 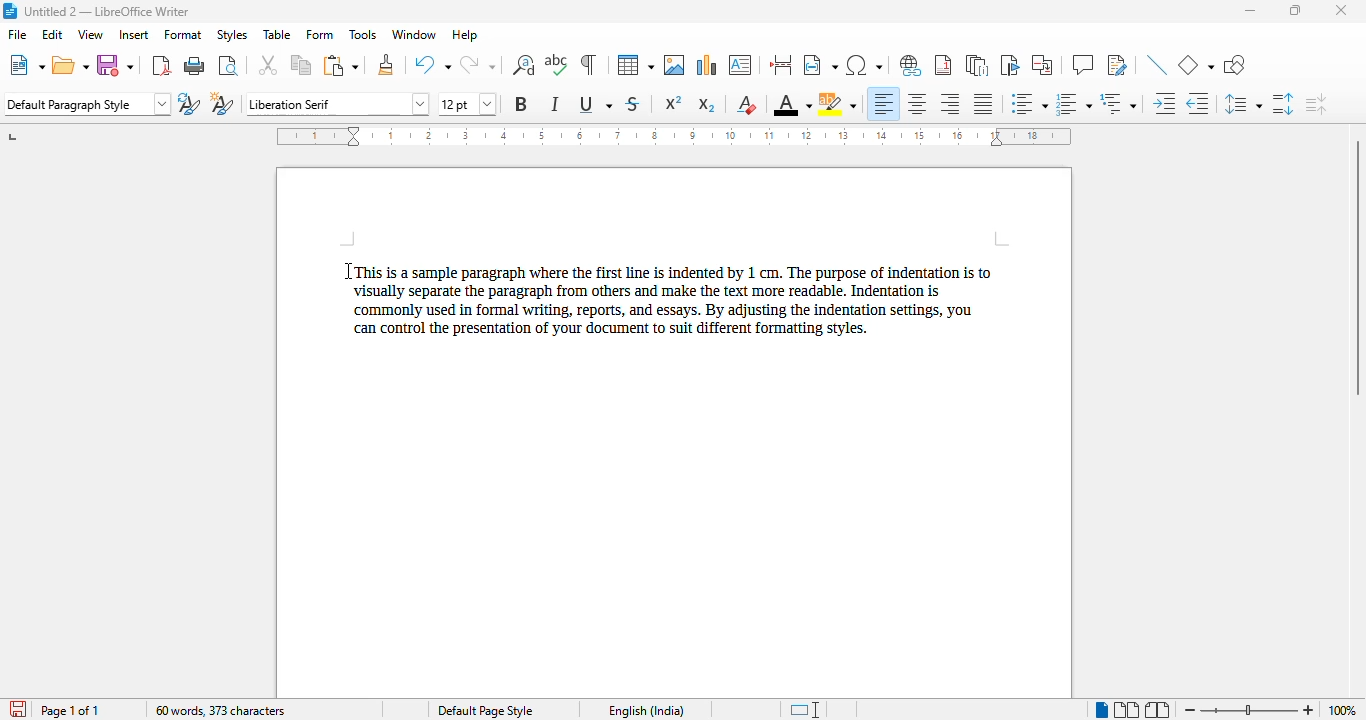 I want to click on word and character count, so click(x=219, y=710).